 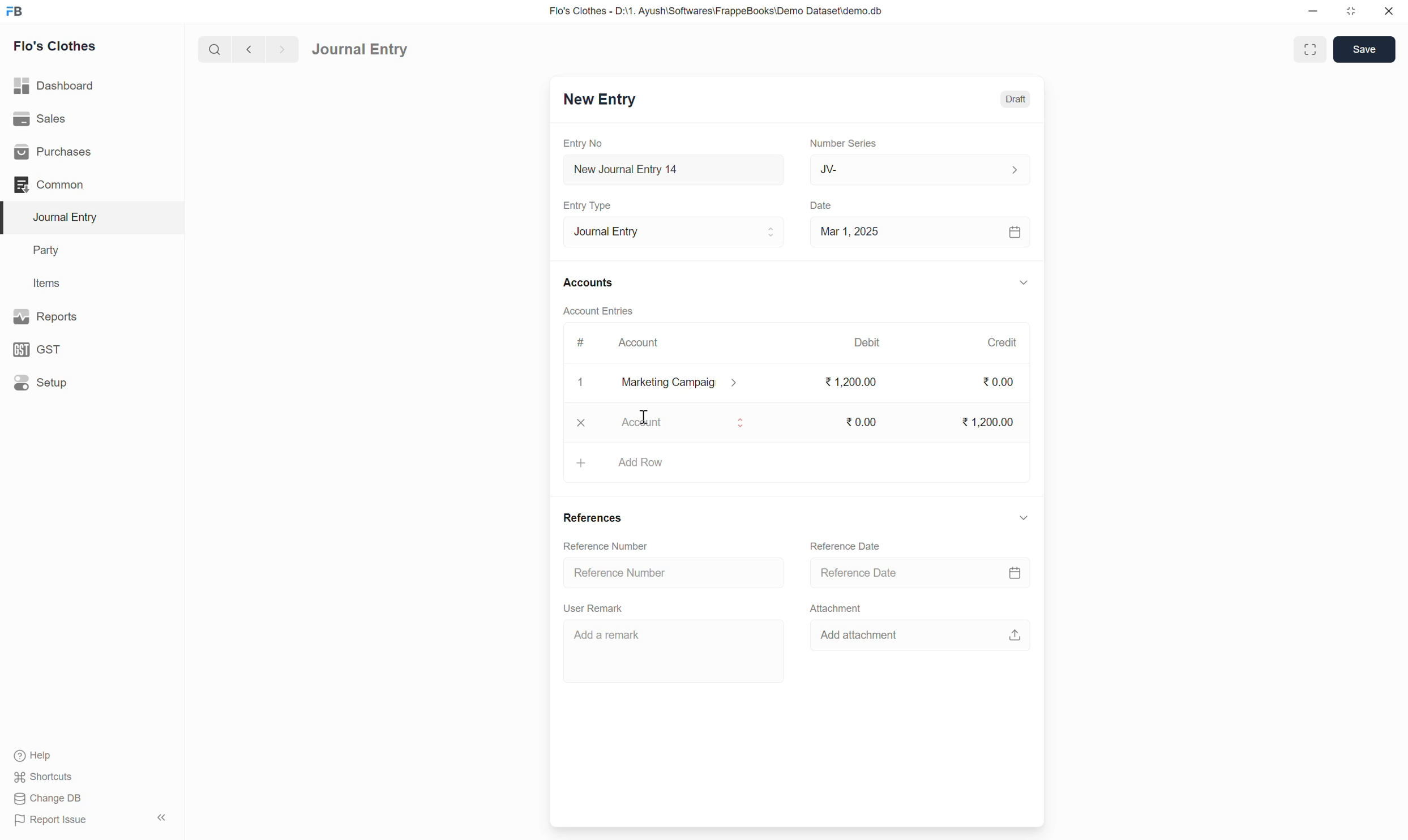 I want to click on back, so click(x=246, y=49).